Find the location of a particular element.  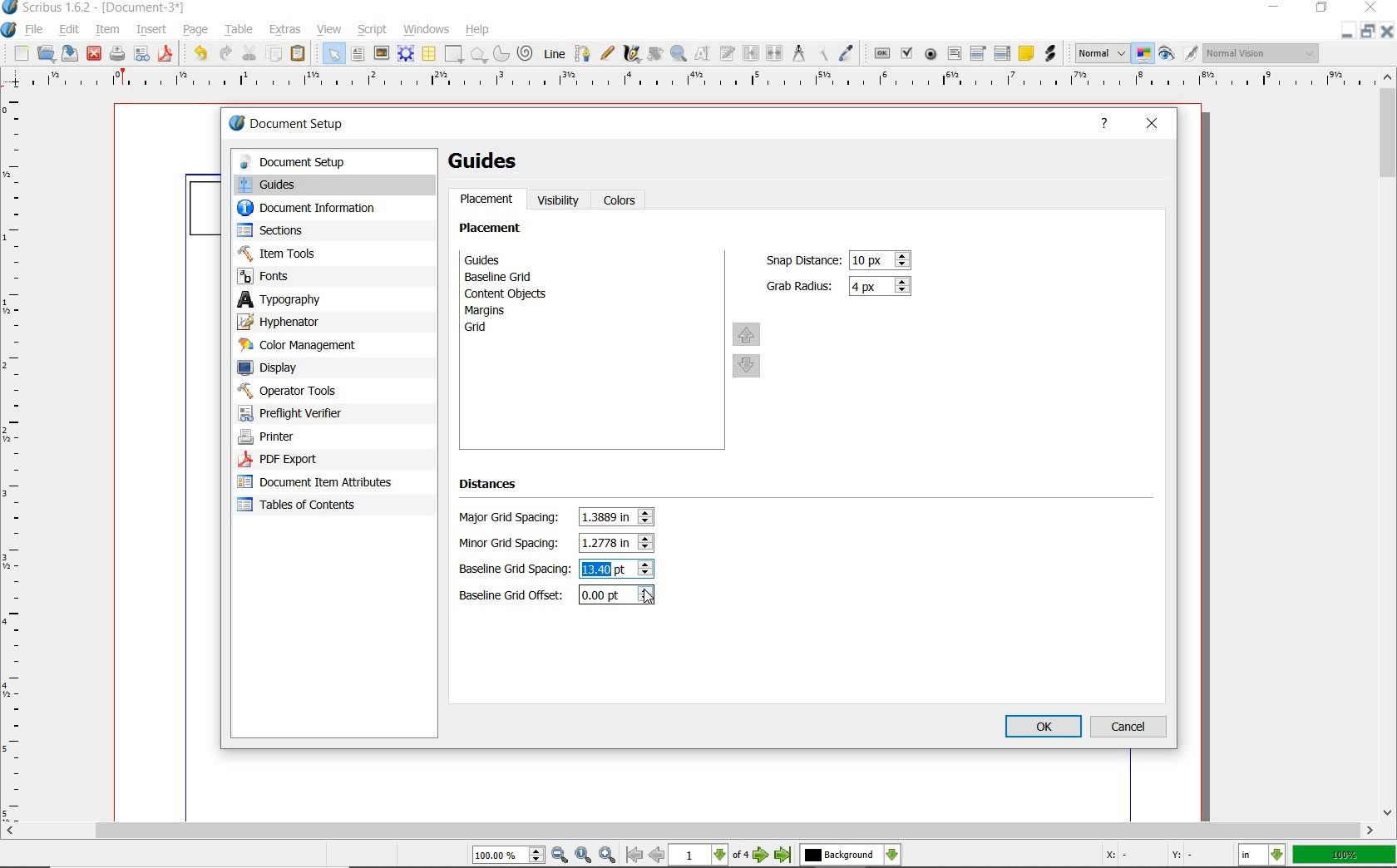

restore is located at coordinates (1370, 32).